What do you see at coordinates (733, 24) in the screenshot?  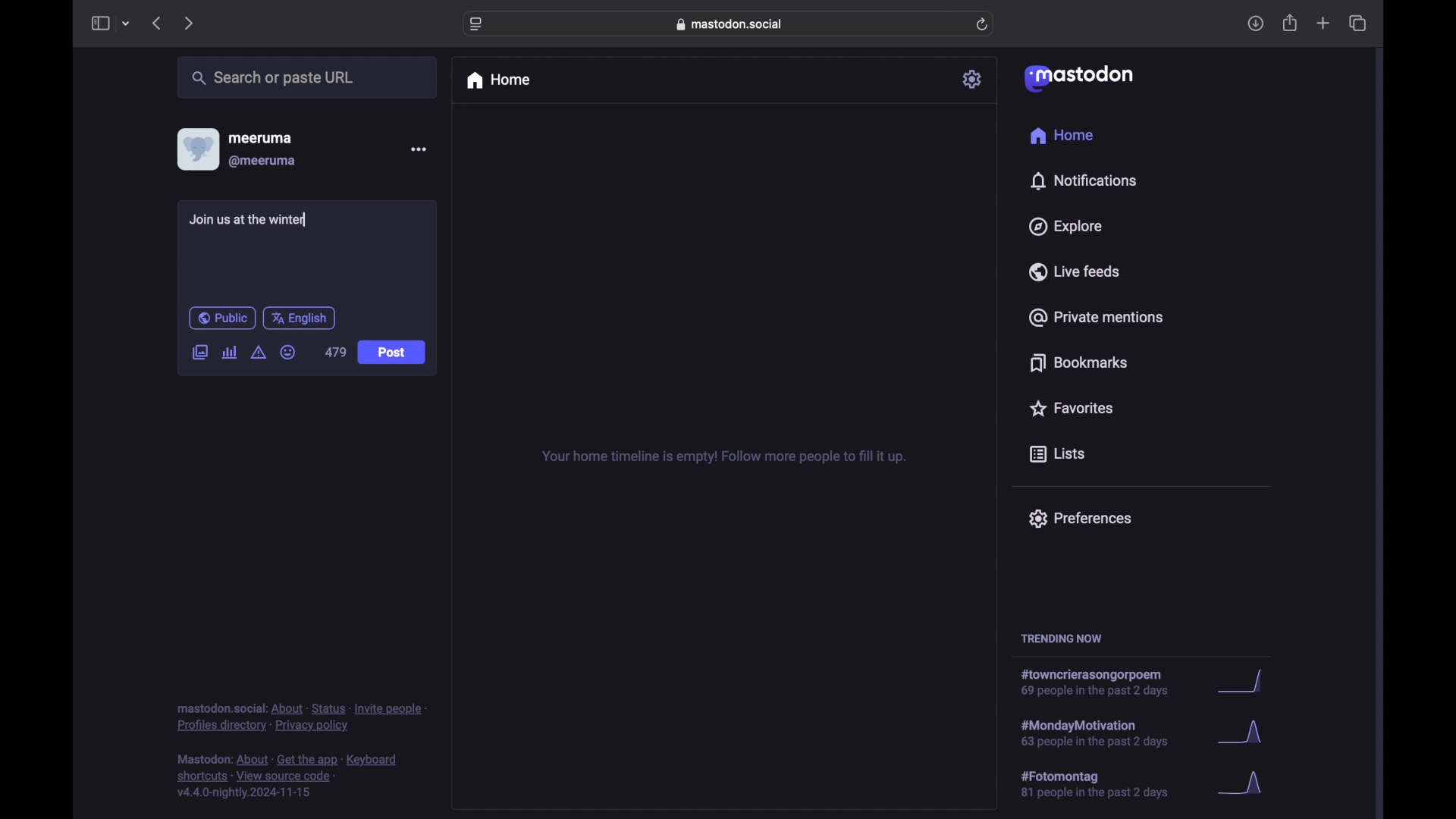 I see `web address` at bounding box center [733, 24].